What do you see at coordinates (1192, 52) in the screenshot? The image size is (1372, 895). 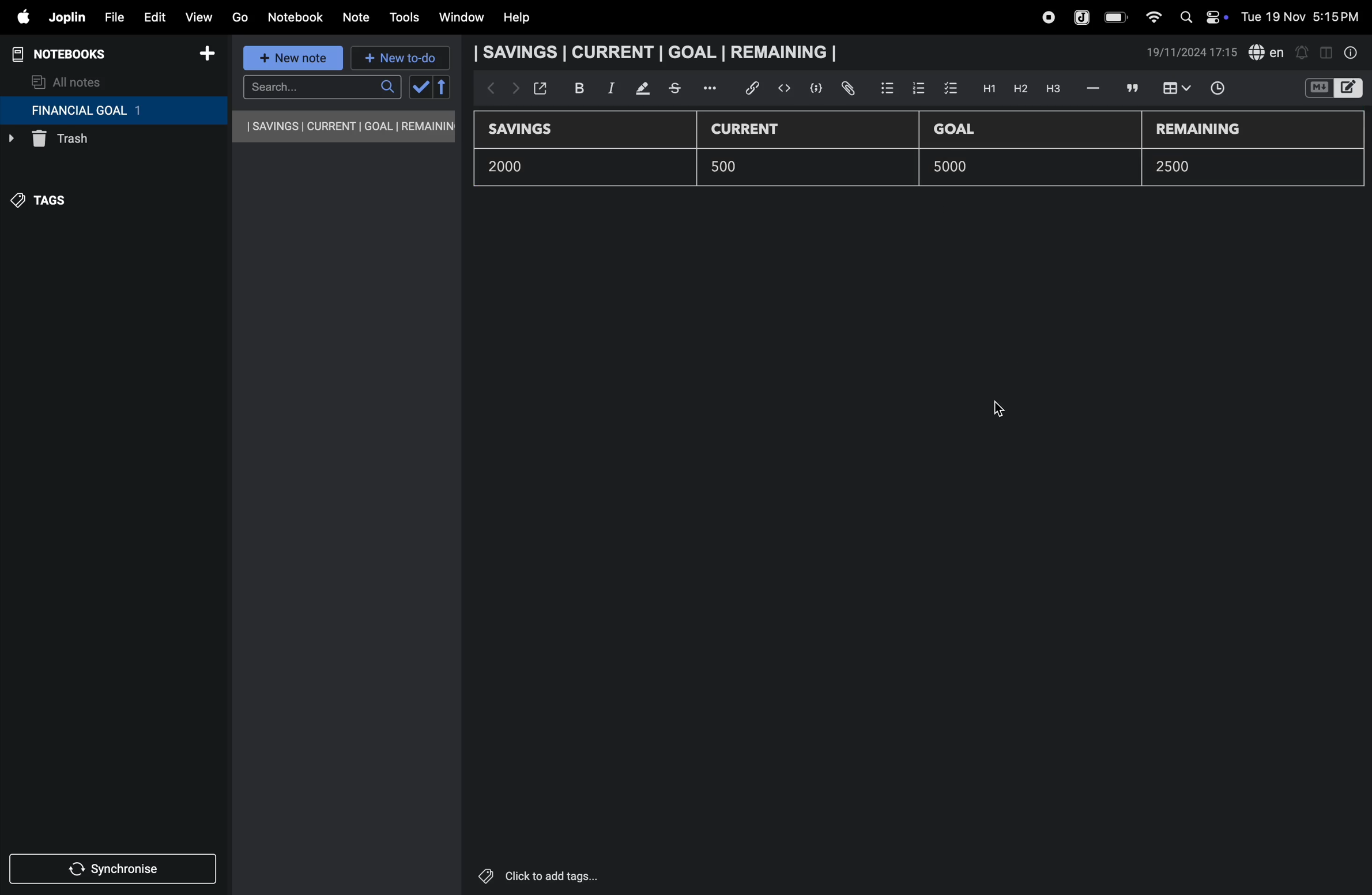 I see `date and time` at bounding box center [1192, 52].